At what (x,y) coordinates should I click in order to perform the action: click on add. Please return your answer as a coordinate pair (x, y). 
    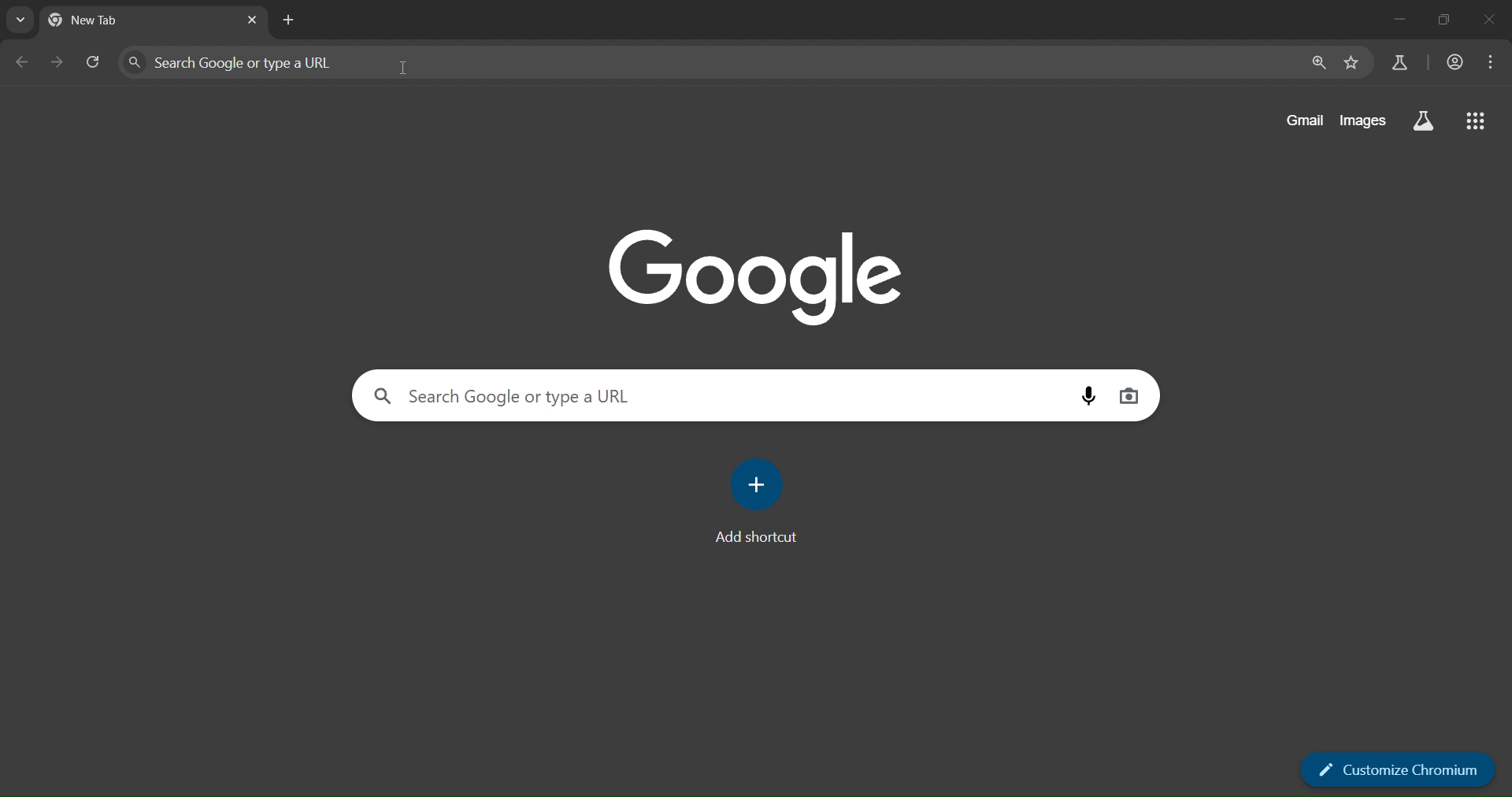
    Looking at the image, I should click on (760, 484).